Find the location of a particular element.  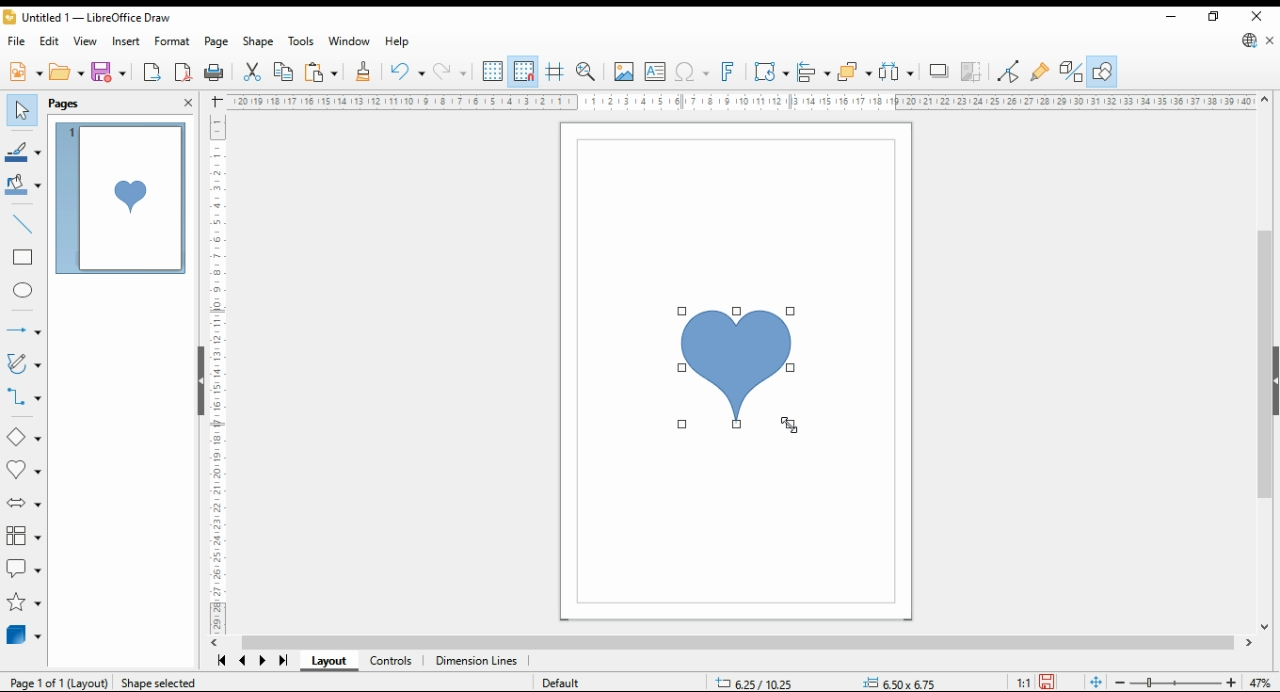

3D objects is located at coordinates (23, 635).